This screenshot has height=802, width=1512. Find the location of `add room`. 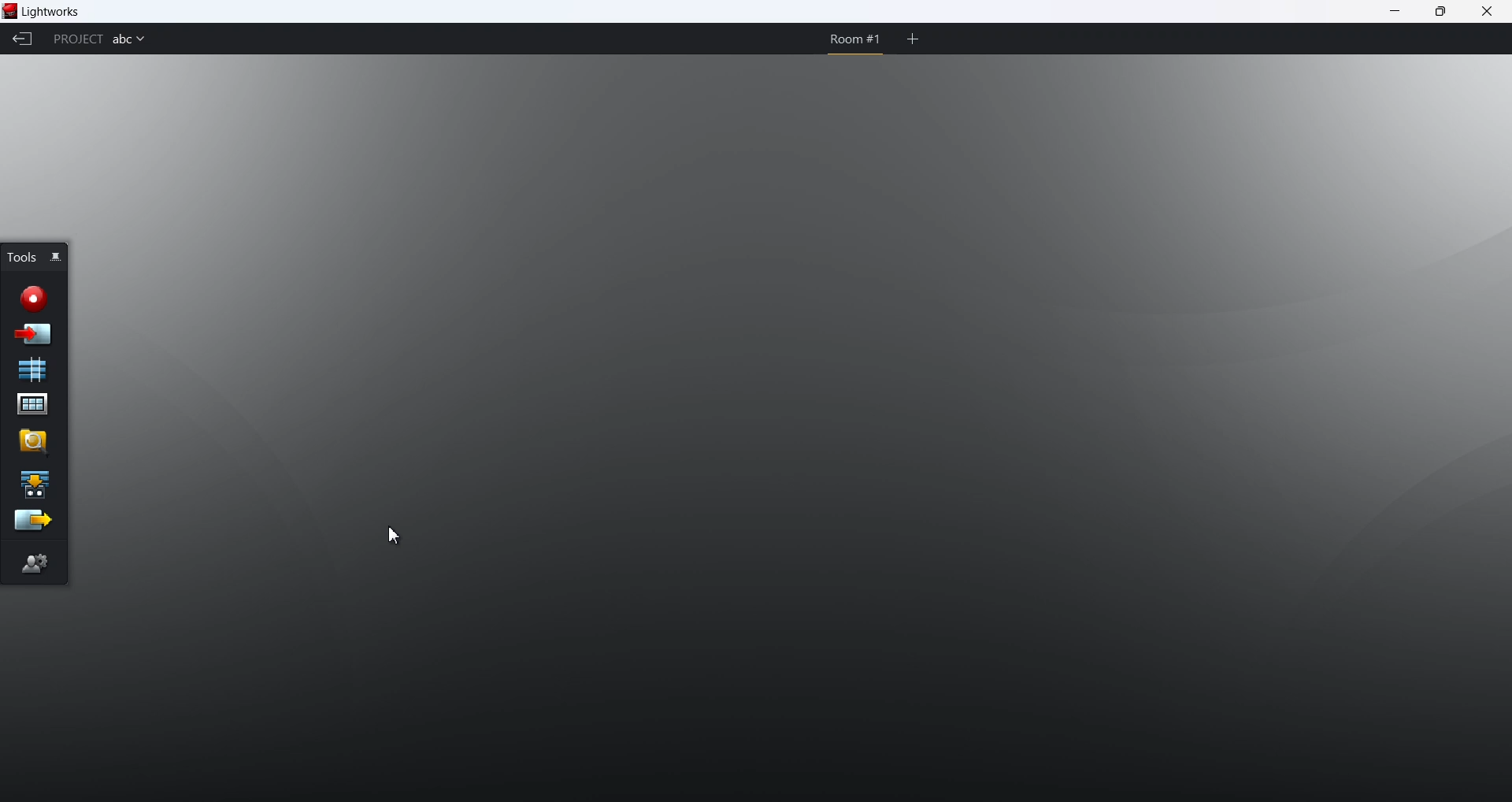

add room is located at coordinates (913, 39).